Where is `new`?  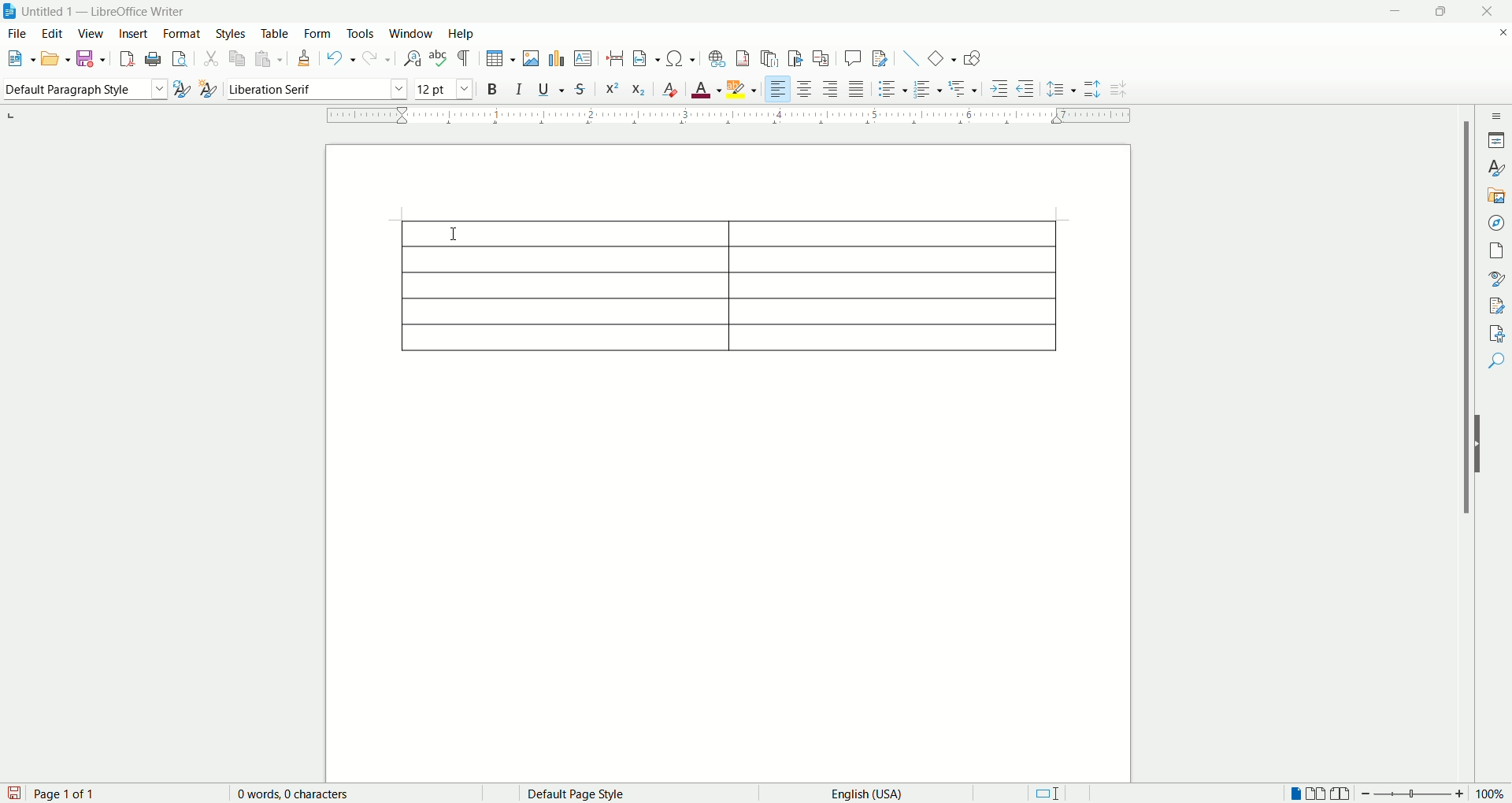
new is located at coordinates (19, 58).